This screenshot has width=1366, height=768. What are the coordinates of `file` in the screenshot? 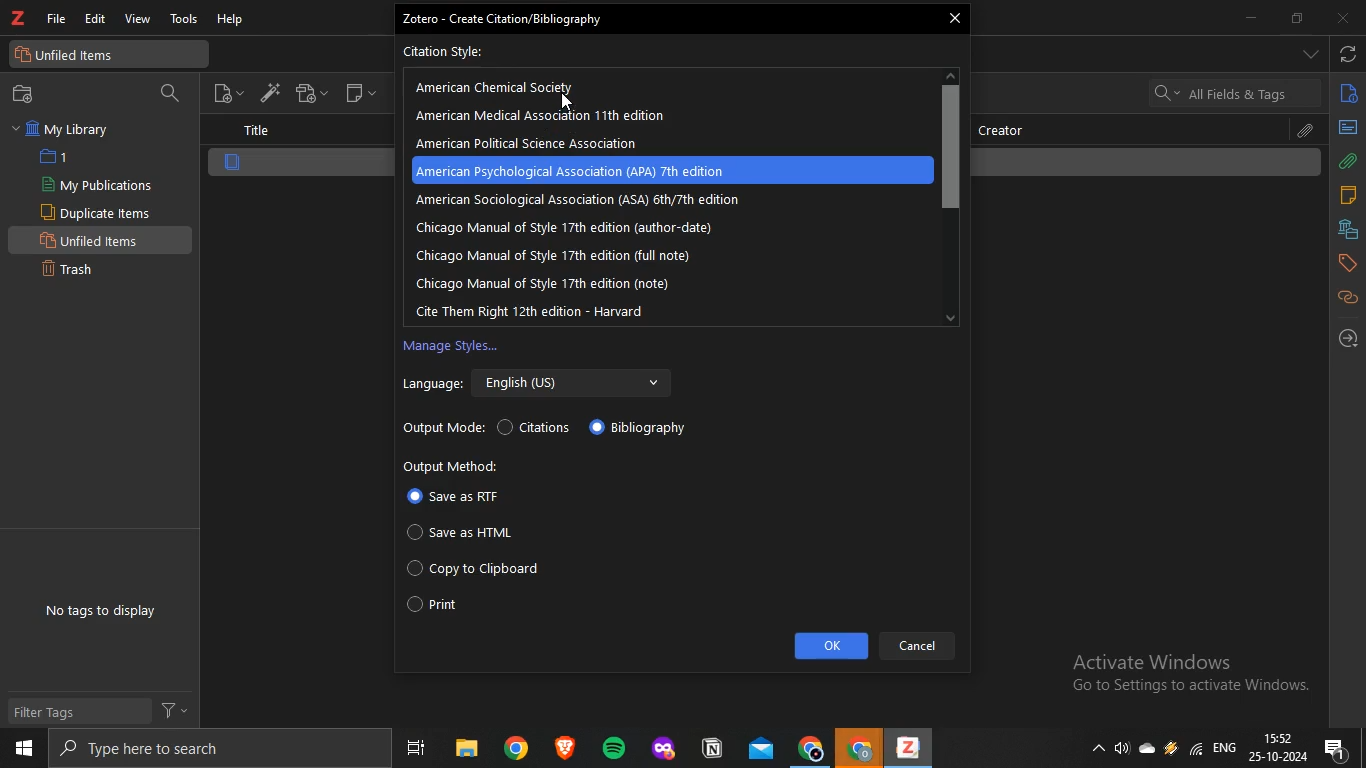 It's located at (59, 18).